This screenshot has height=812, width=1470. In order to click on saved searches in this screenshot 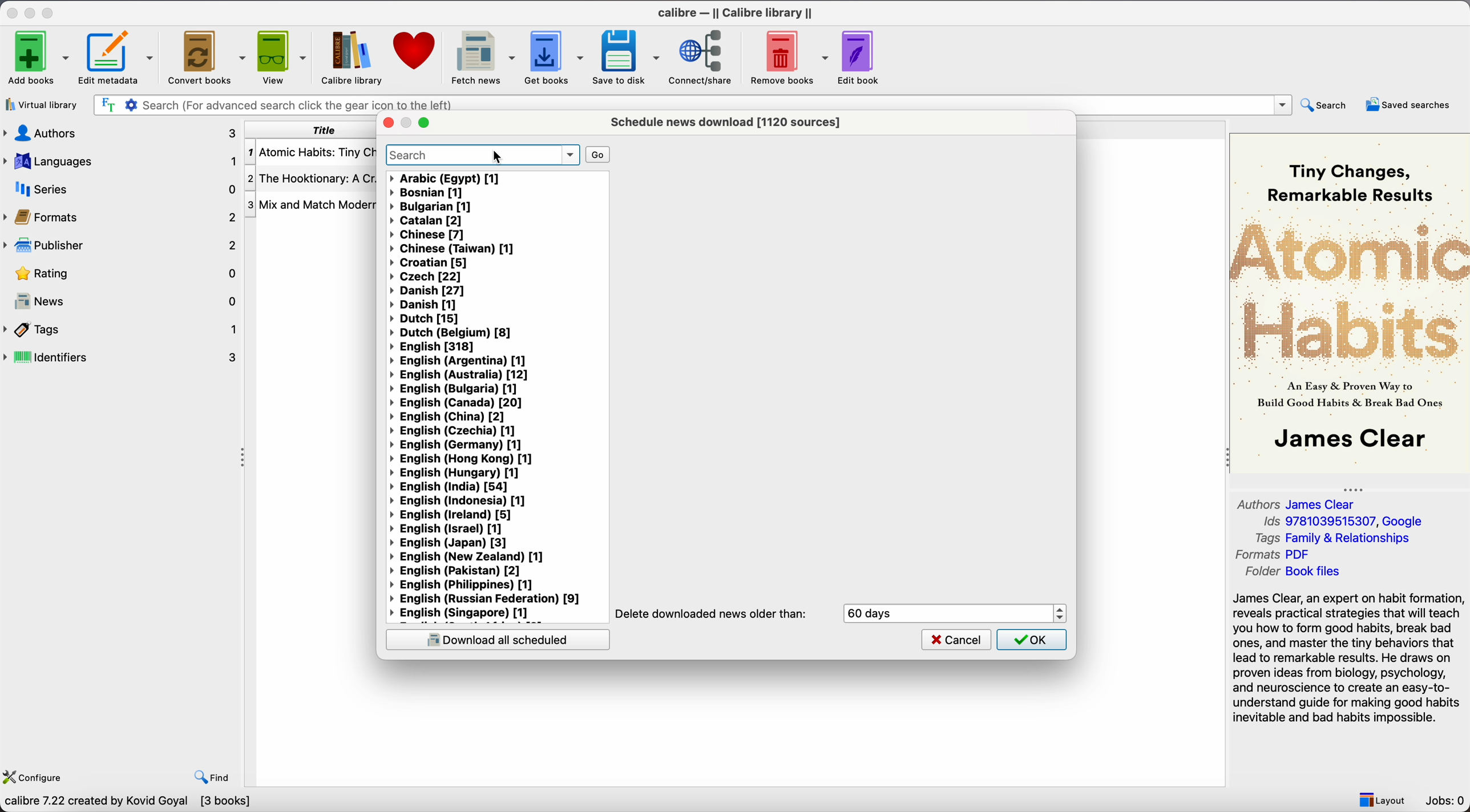, I will do `click(1411, 104)`.